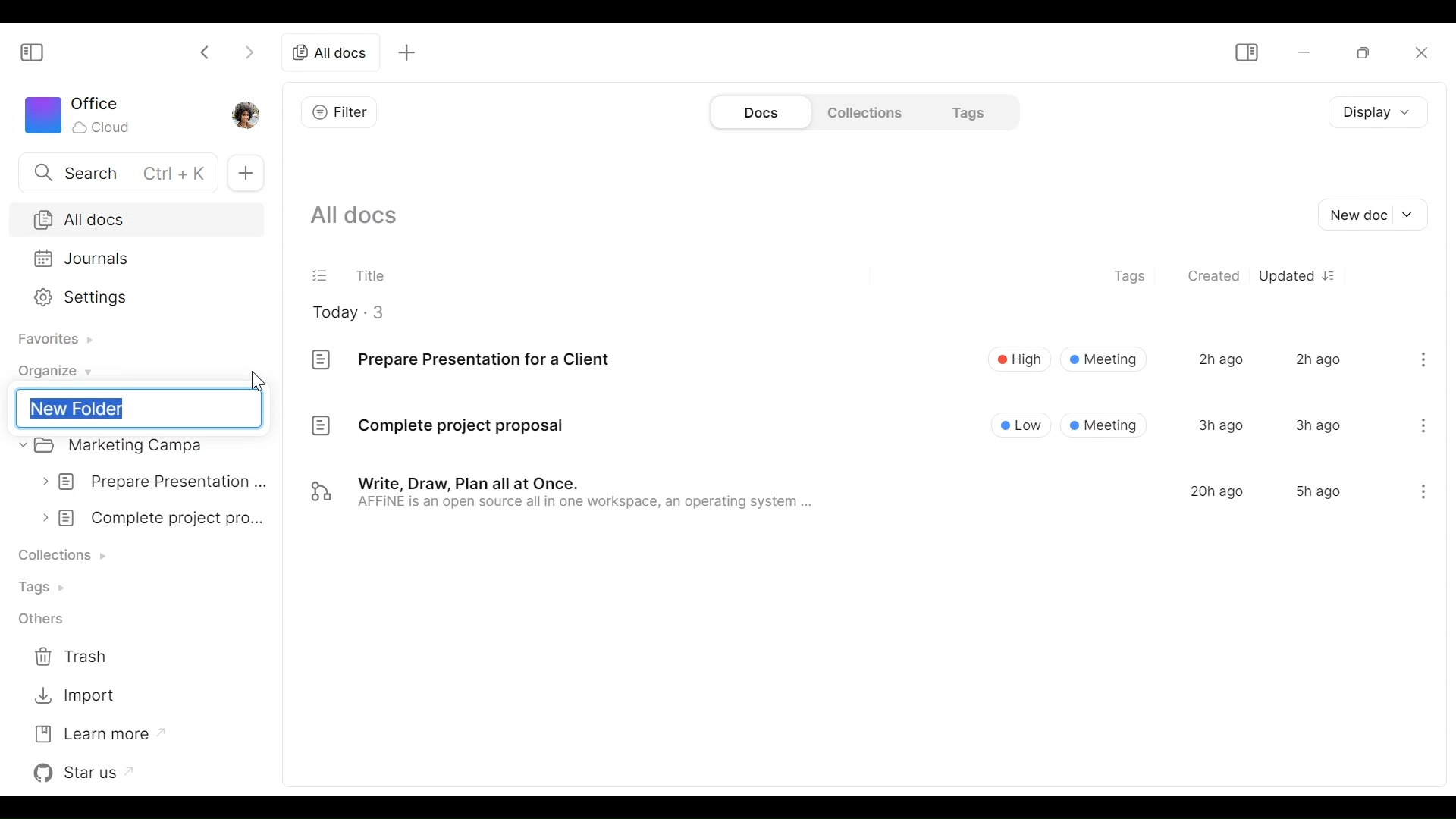 The image size is (1456, 819). I want to click on Meeting, so click(1104, 359).